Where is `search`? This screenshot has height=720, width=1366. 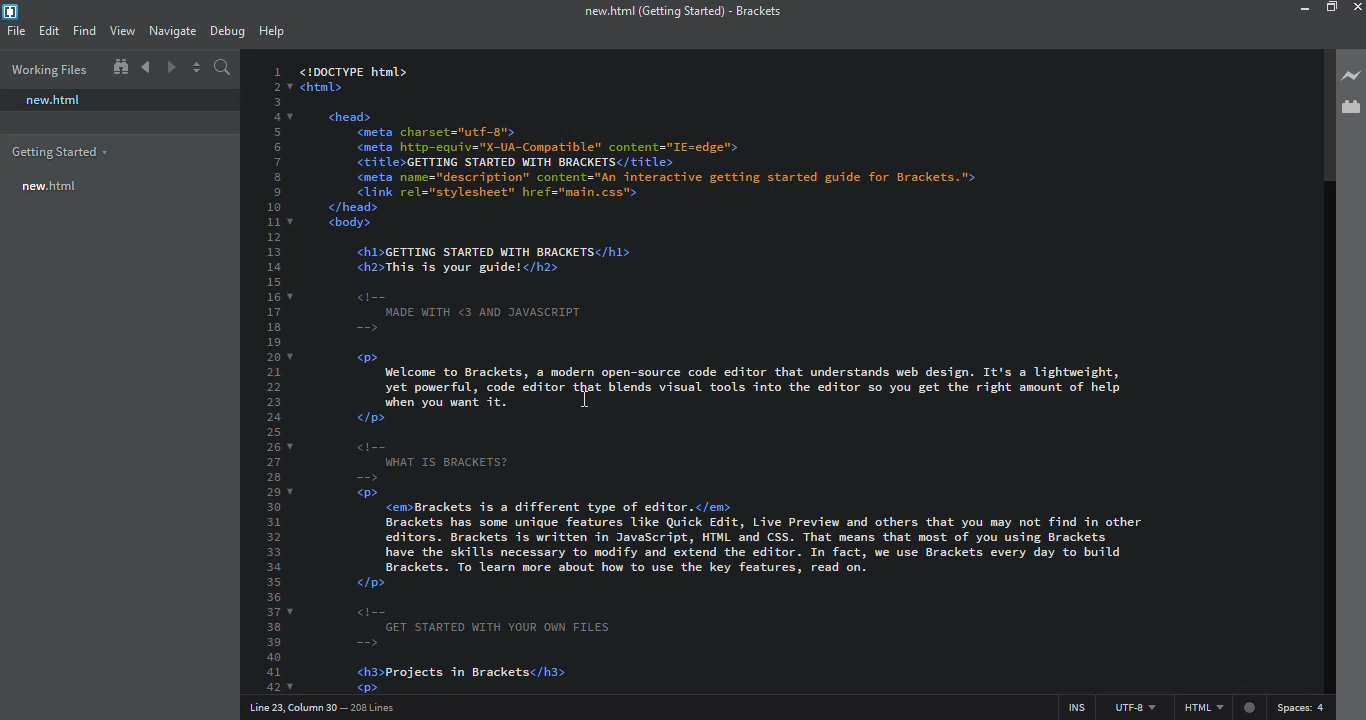 search is located at coordinates (223, 67).